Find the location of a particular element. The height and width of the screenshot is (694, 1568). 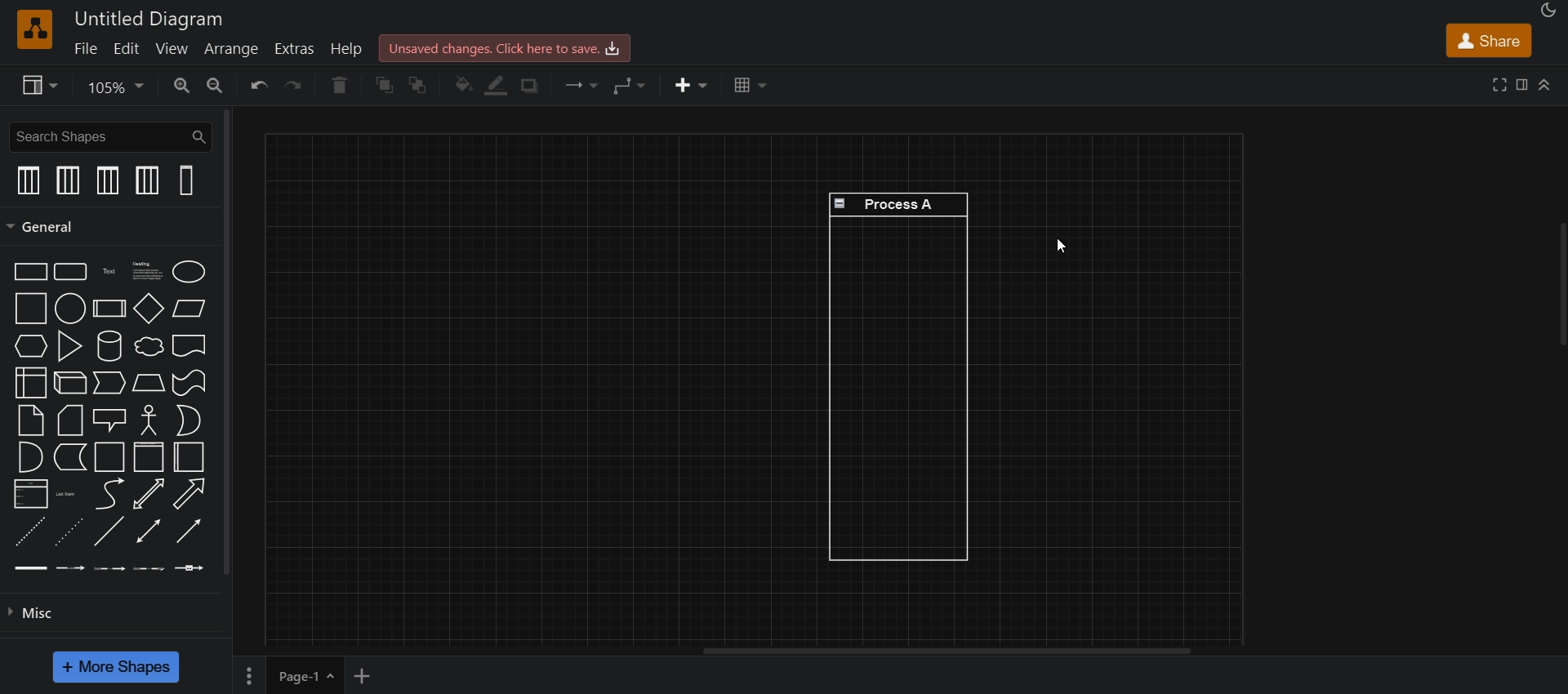

text with heading is located at coordinates (145, 270).